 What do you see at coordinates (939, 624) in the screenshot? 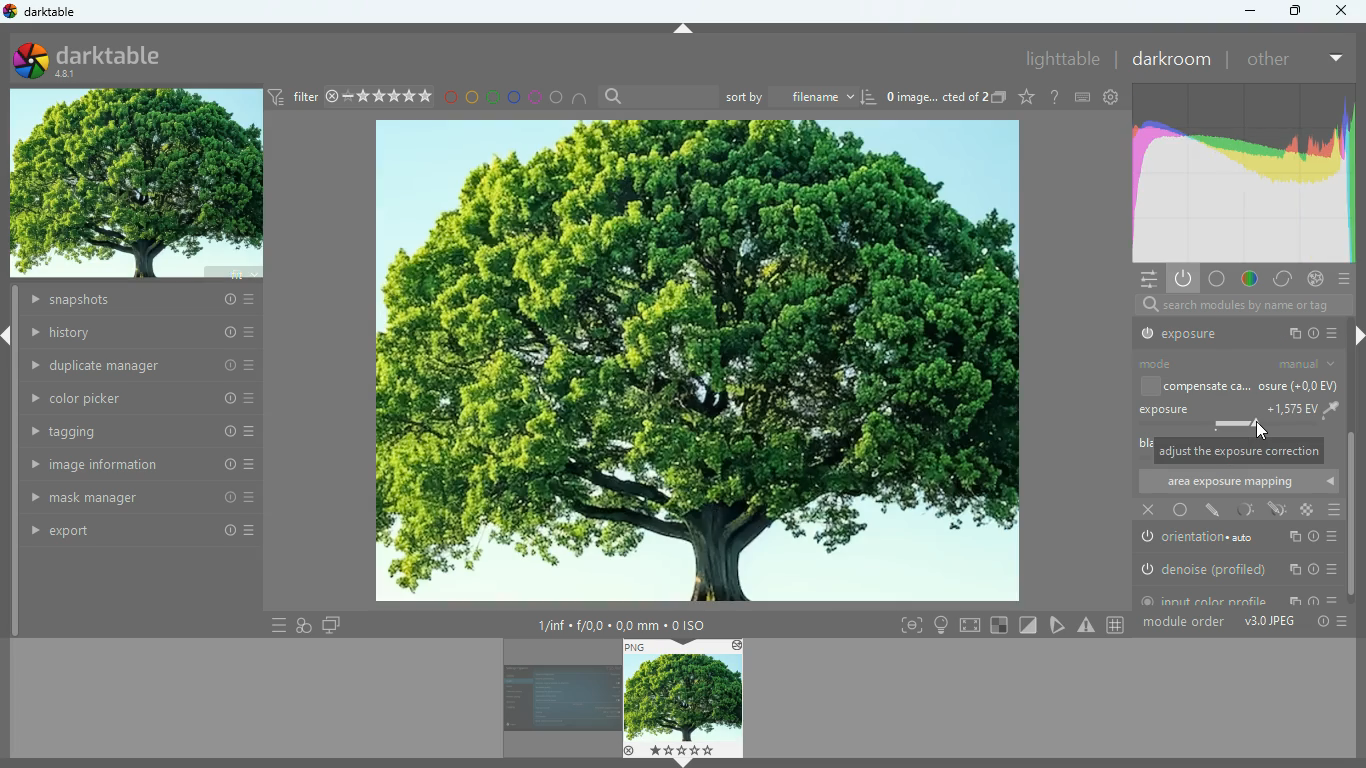
I see `light` at bounding box center [939, 624].